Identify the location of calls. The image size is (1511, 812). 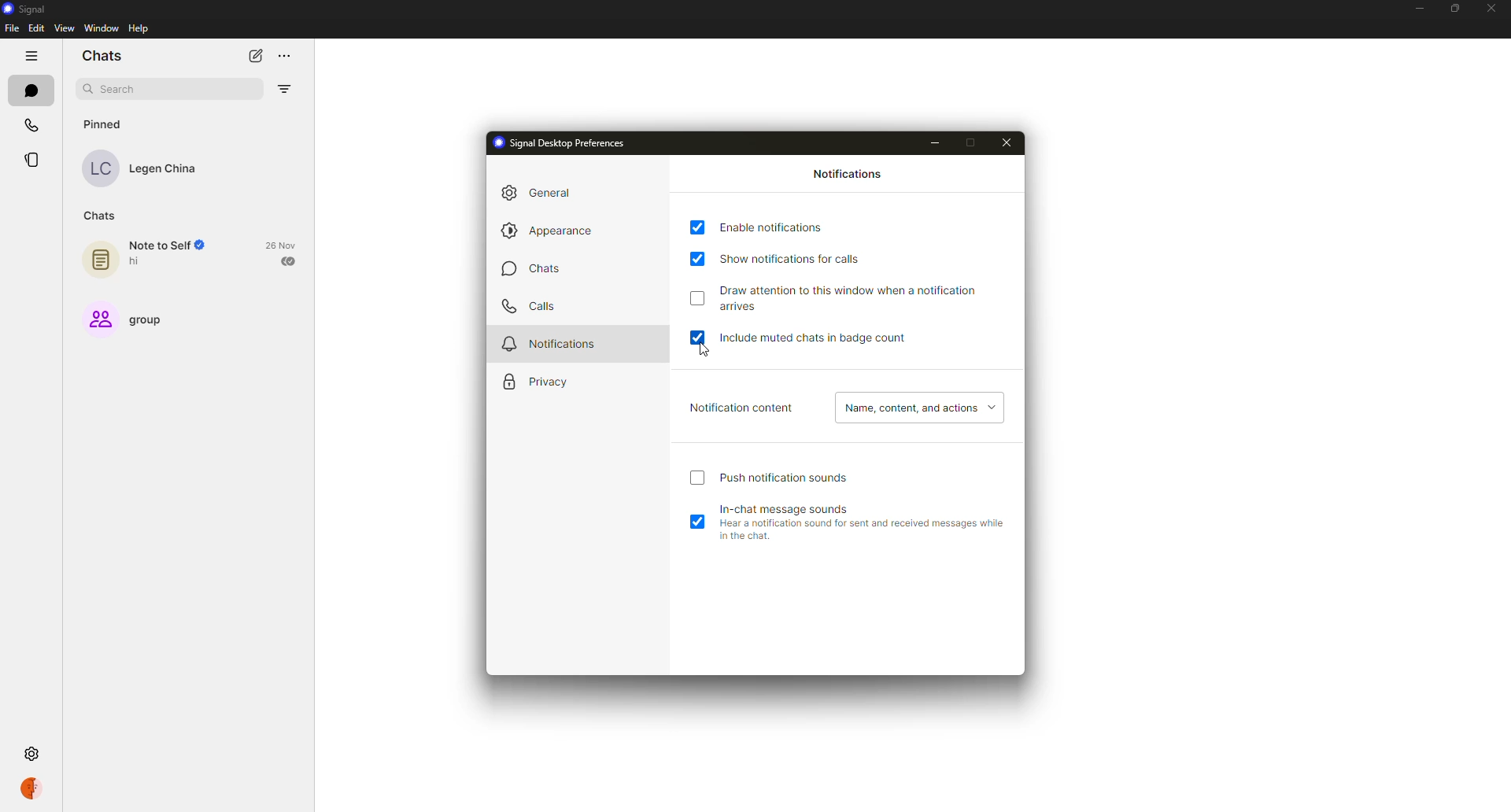
(530, 307).